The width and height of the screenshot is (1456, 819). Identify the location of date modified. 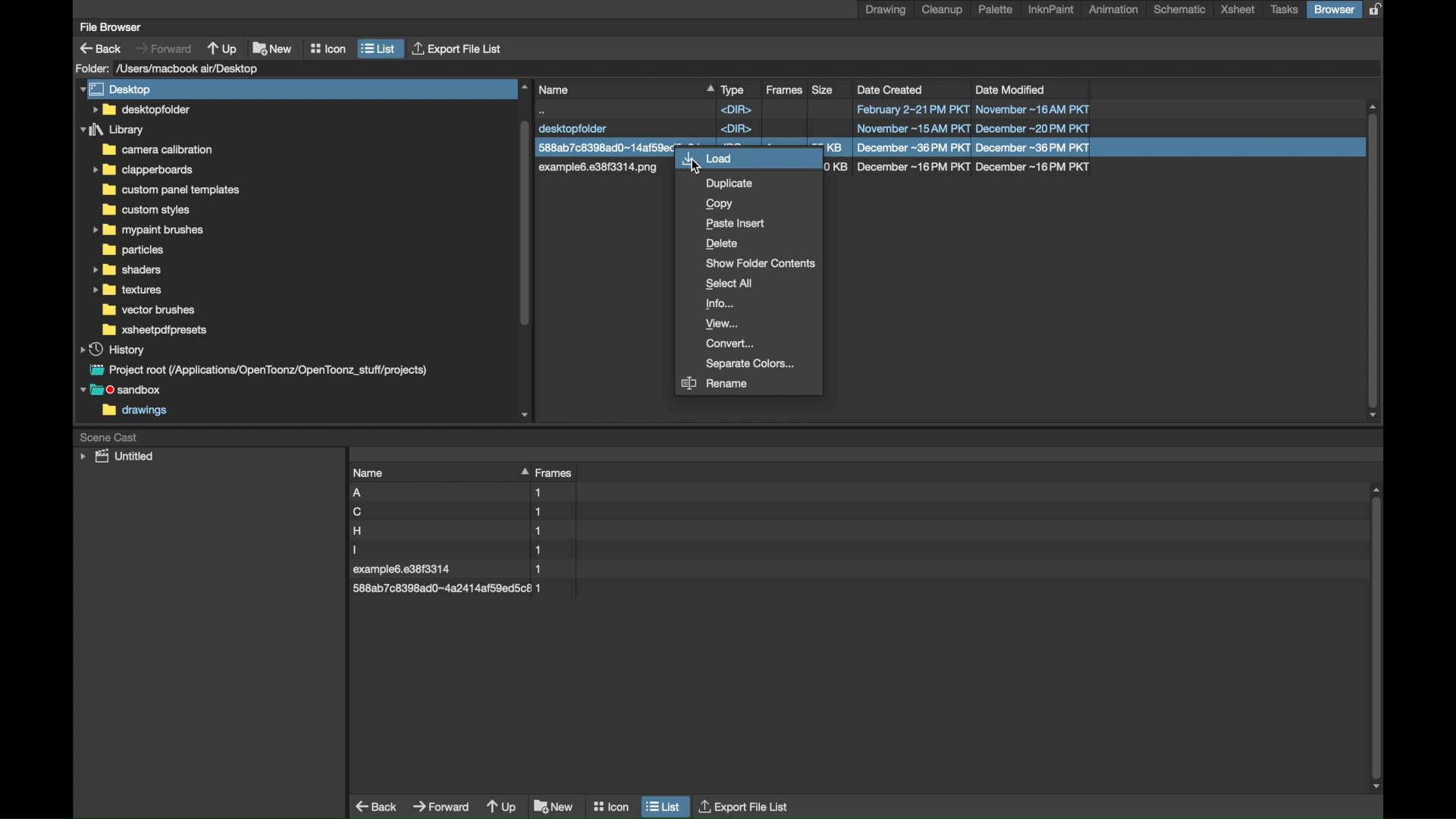
(1011, 89).